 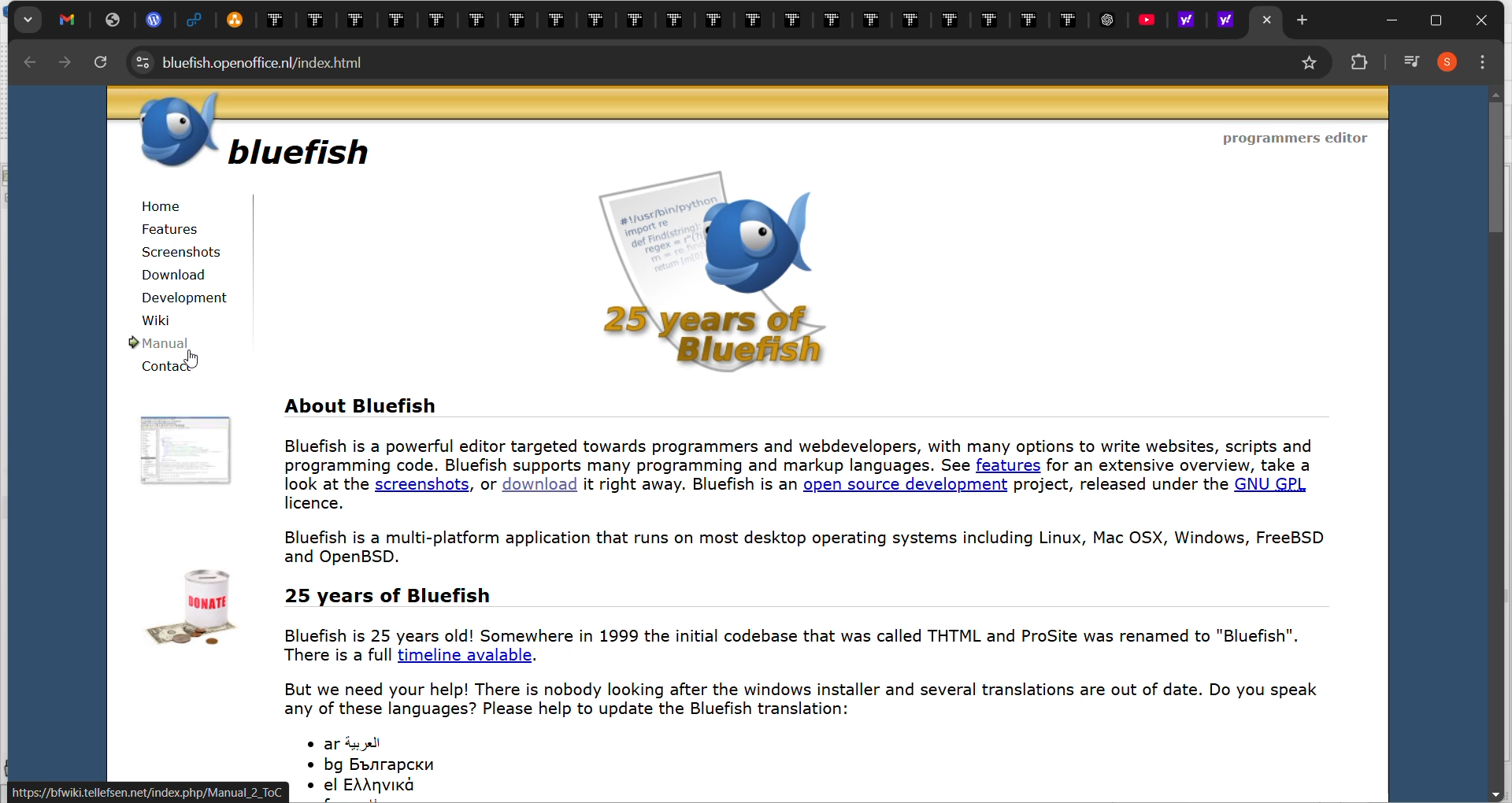 I want to click on screenshots, so click(x=180, y=253).